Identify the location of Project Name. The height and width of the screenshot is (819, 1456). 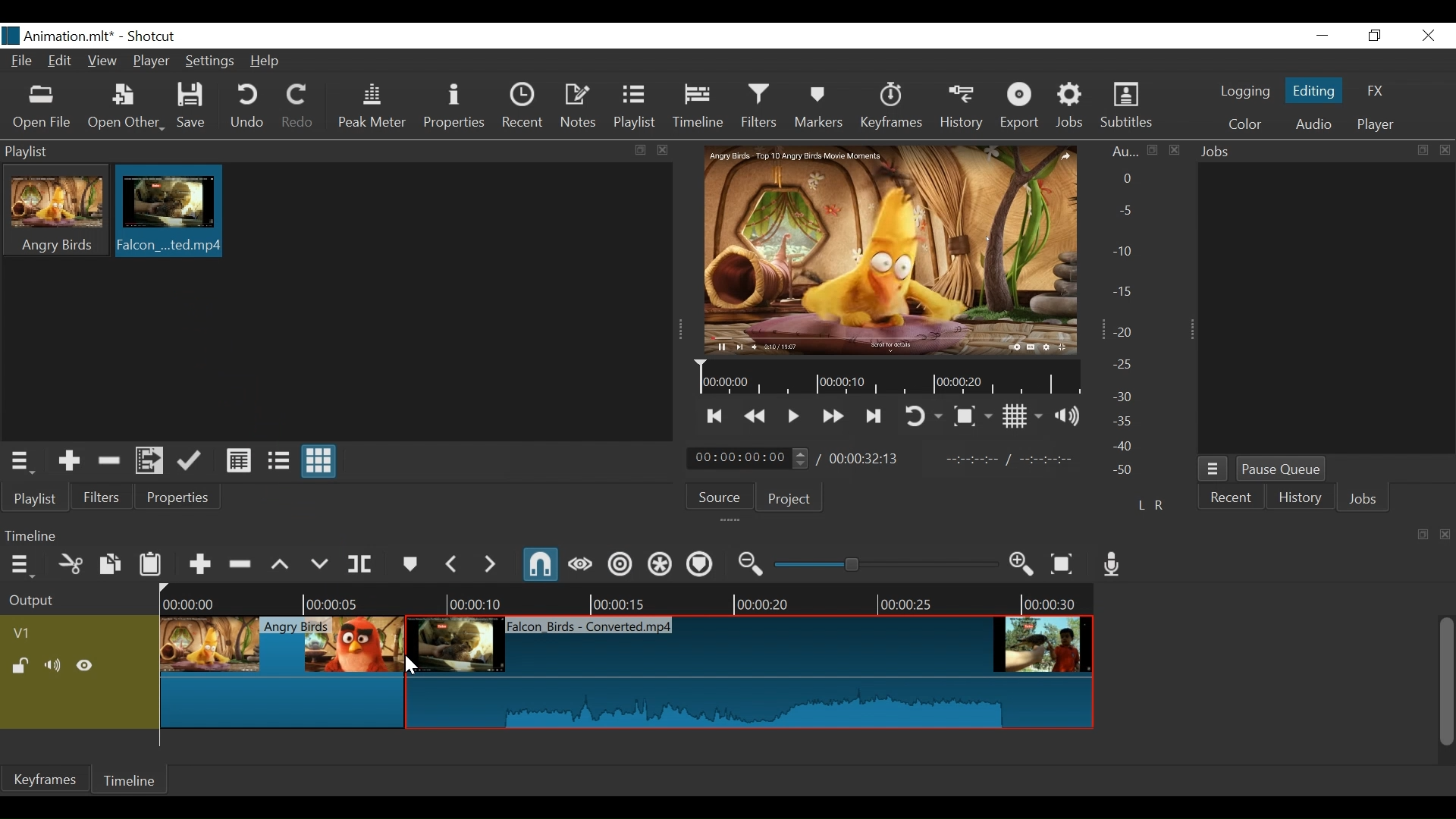
(71, 38).